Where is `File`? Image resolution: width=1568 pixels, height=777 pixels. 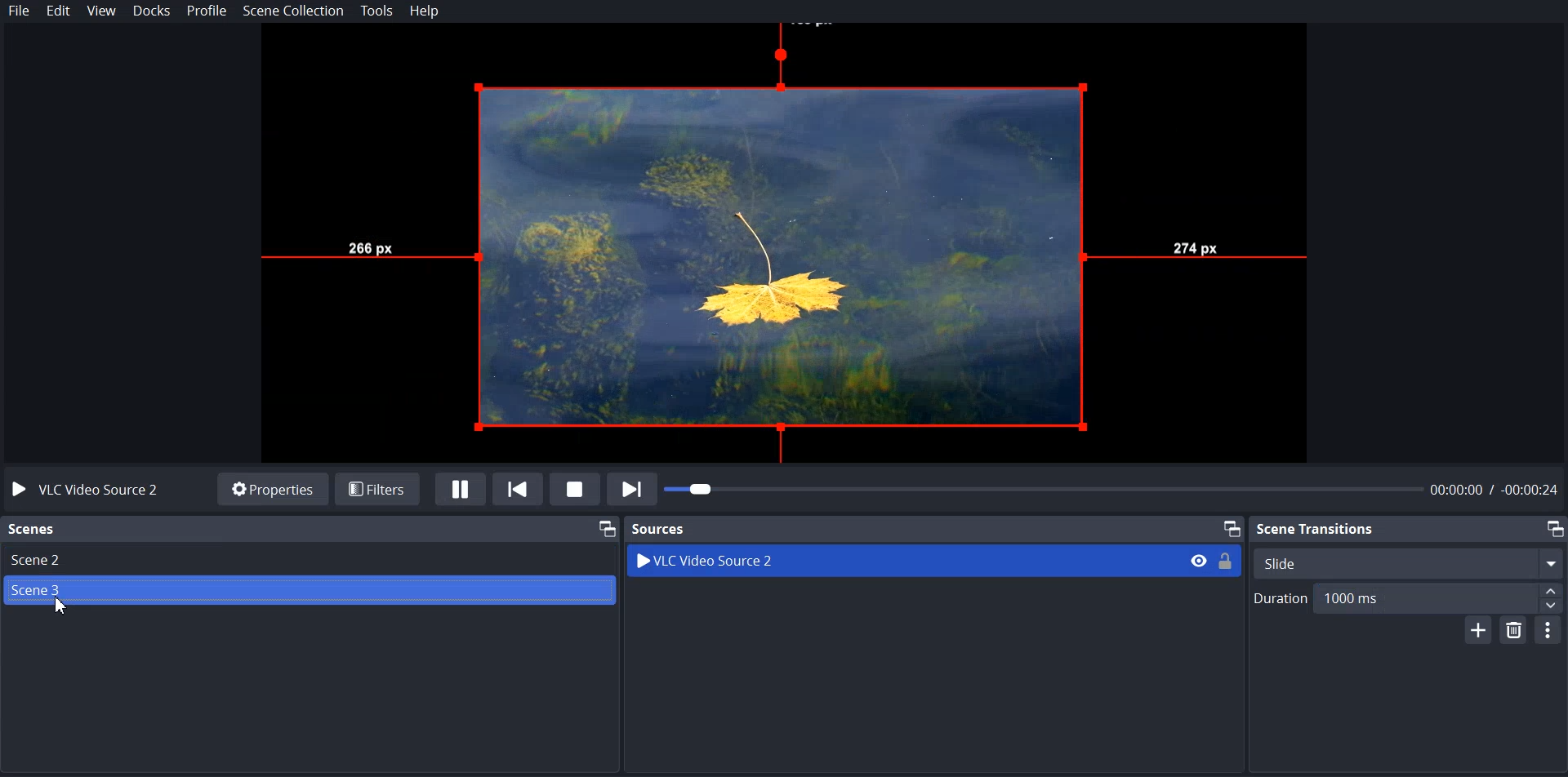
File is located at coordinates (19, 10).